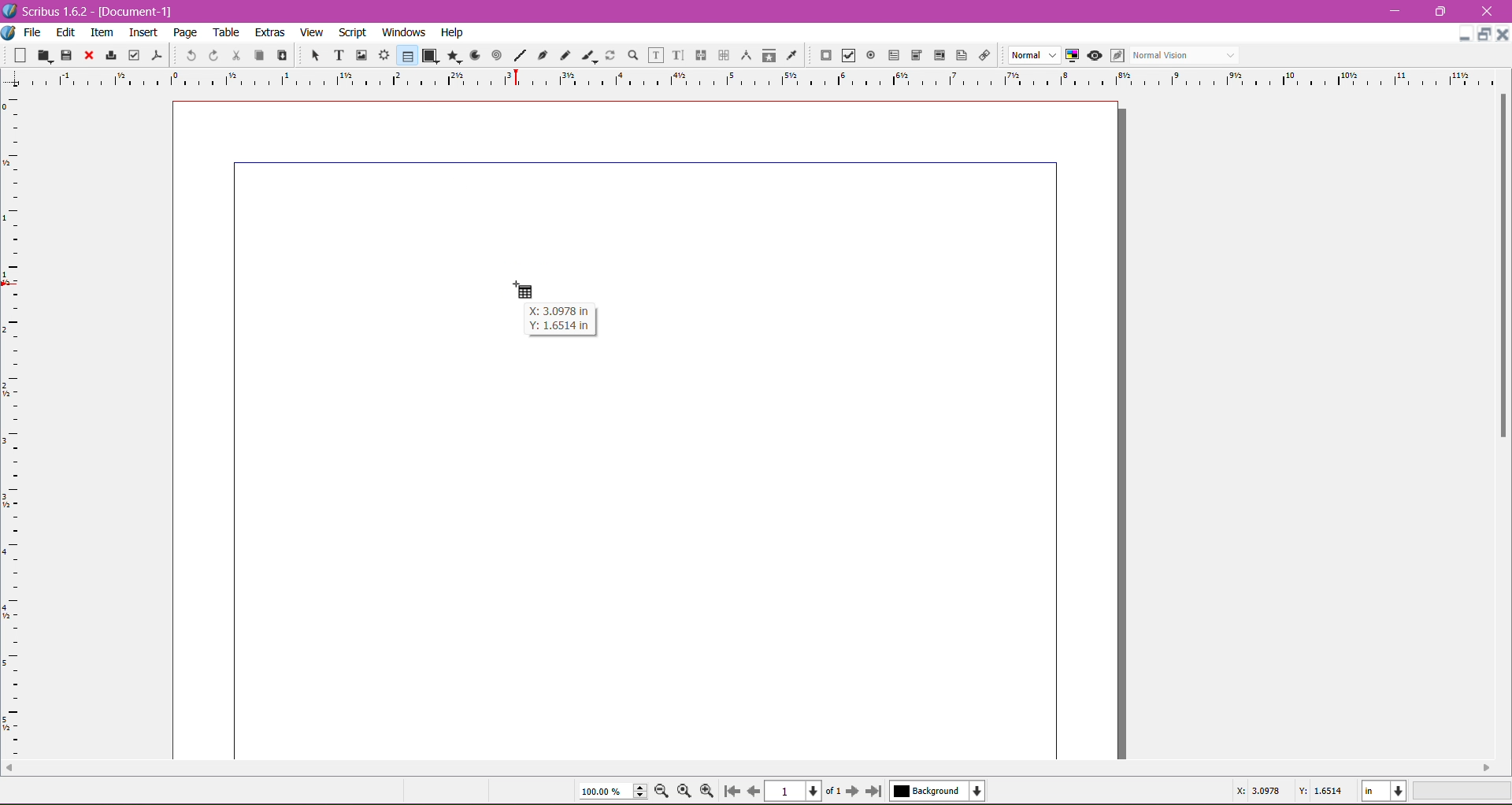 The width and height of the screenshot is (1512, 805). Describe the element at coordinates (473, 54) in the screenshot. I see `Arc` at that location.